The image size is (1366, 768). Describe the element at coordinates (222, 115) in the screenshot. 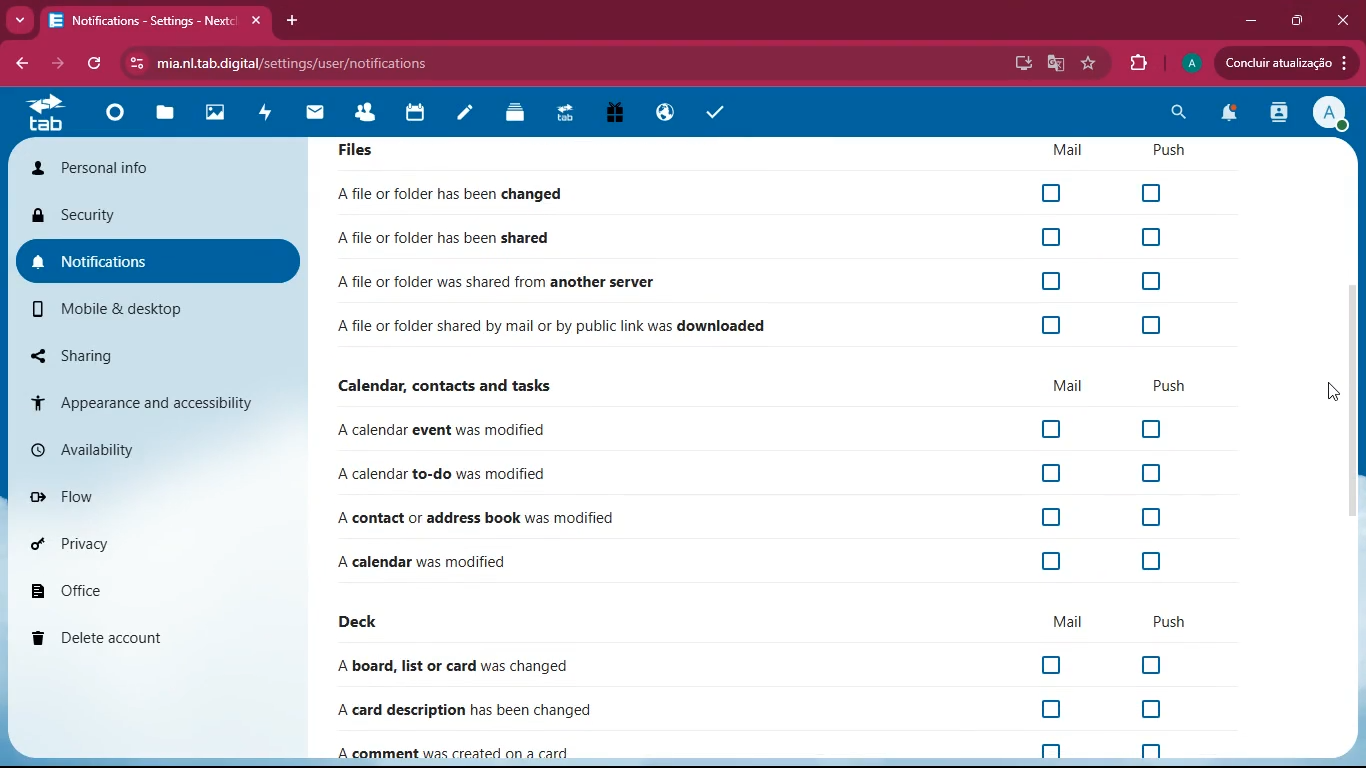

I see `images` at that location.